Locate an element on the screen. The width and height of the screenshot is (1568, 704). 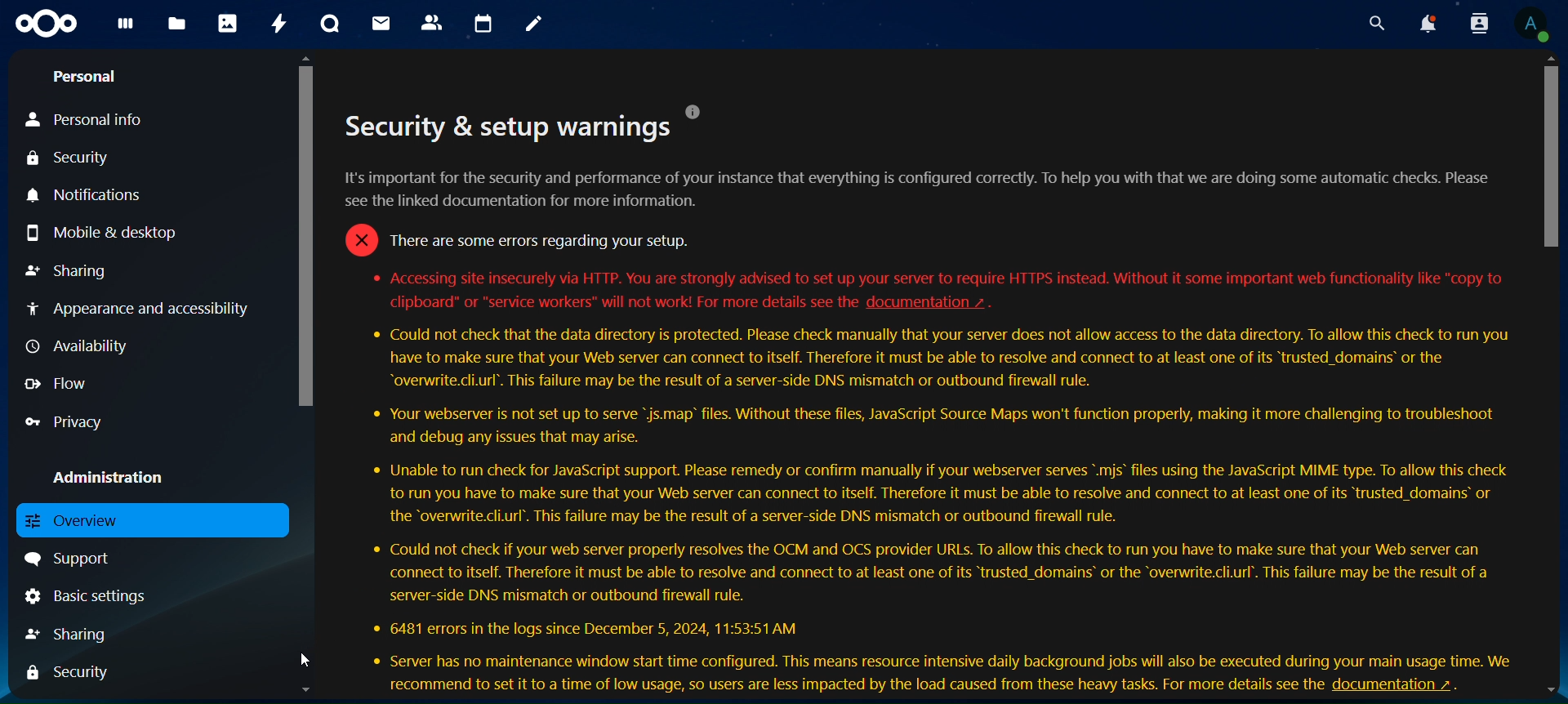
administration is located at coordinates (114, 479).